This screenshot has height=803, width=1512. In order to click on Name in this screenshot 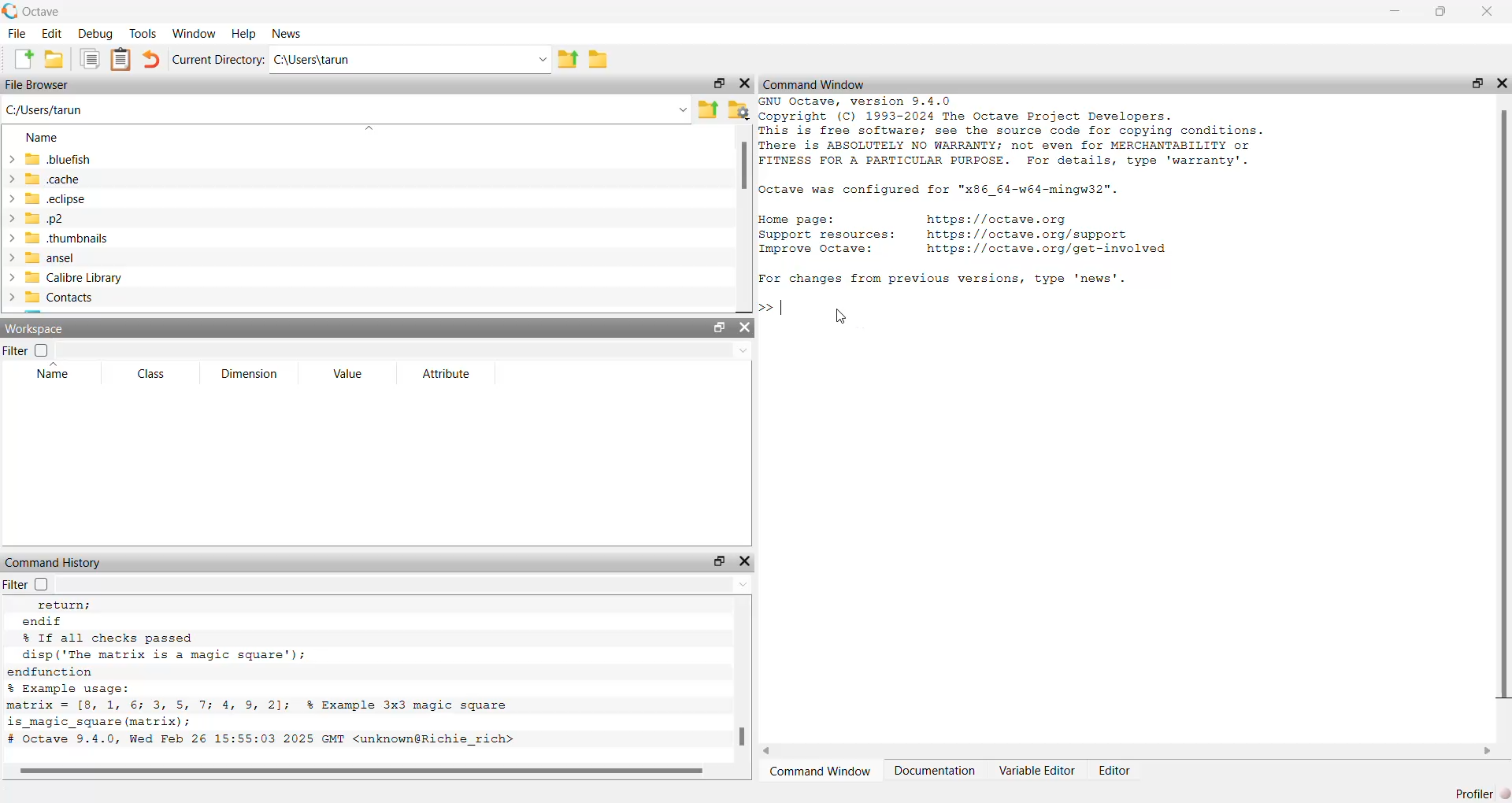, I will do `click(43, 138)`.